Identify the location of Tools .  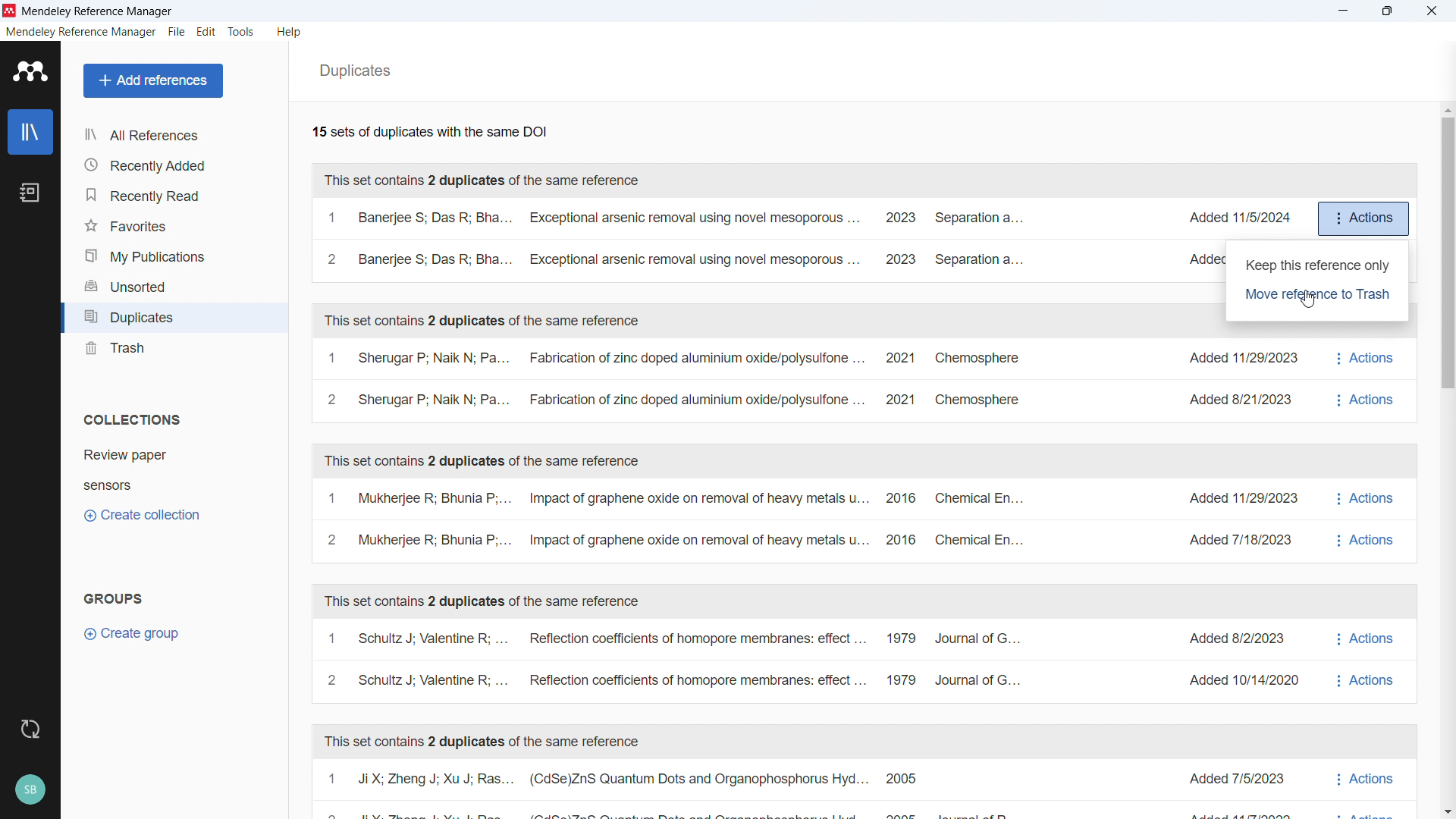
(241, 33).